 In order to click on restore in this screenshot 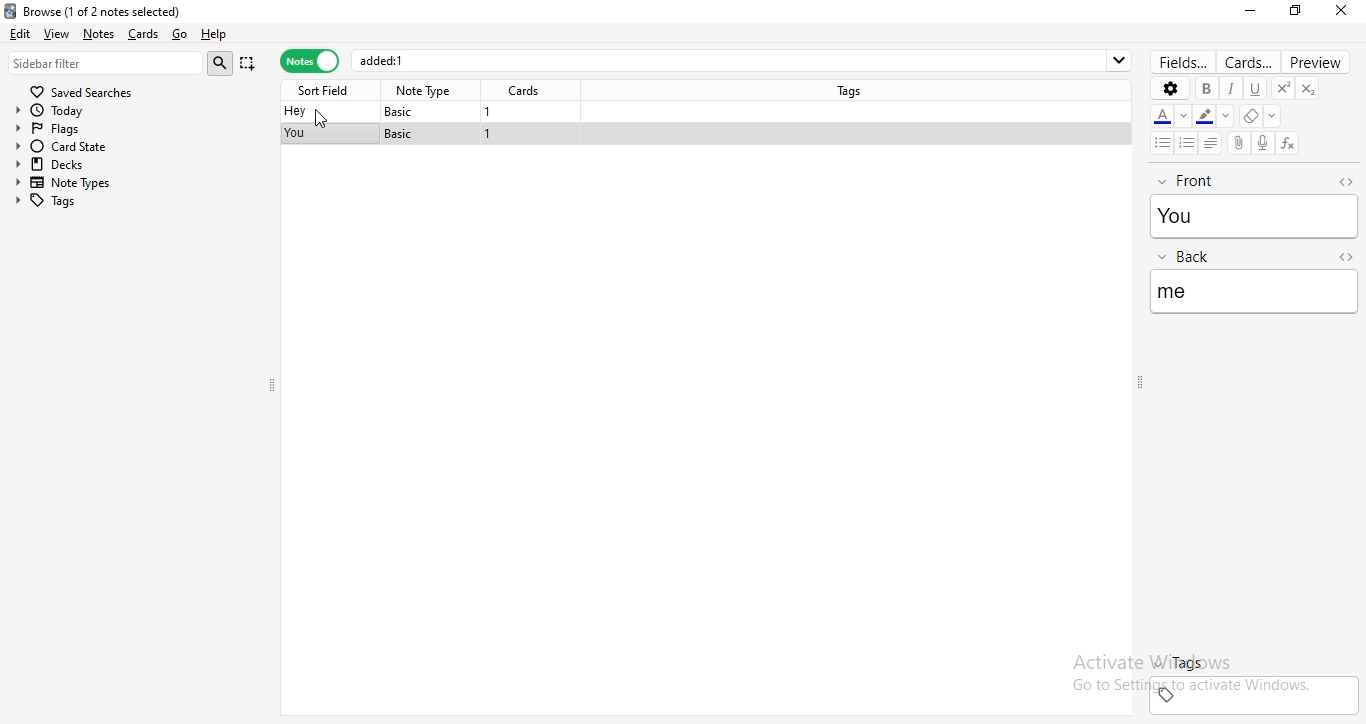, I will do `click(1296, 10)`.